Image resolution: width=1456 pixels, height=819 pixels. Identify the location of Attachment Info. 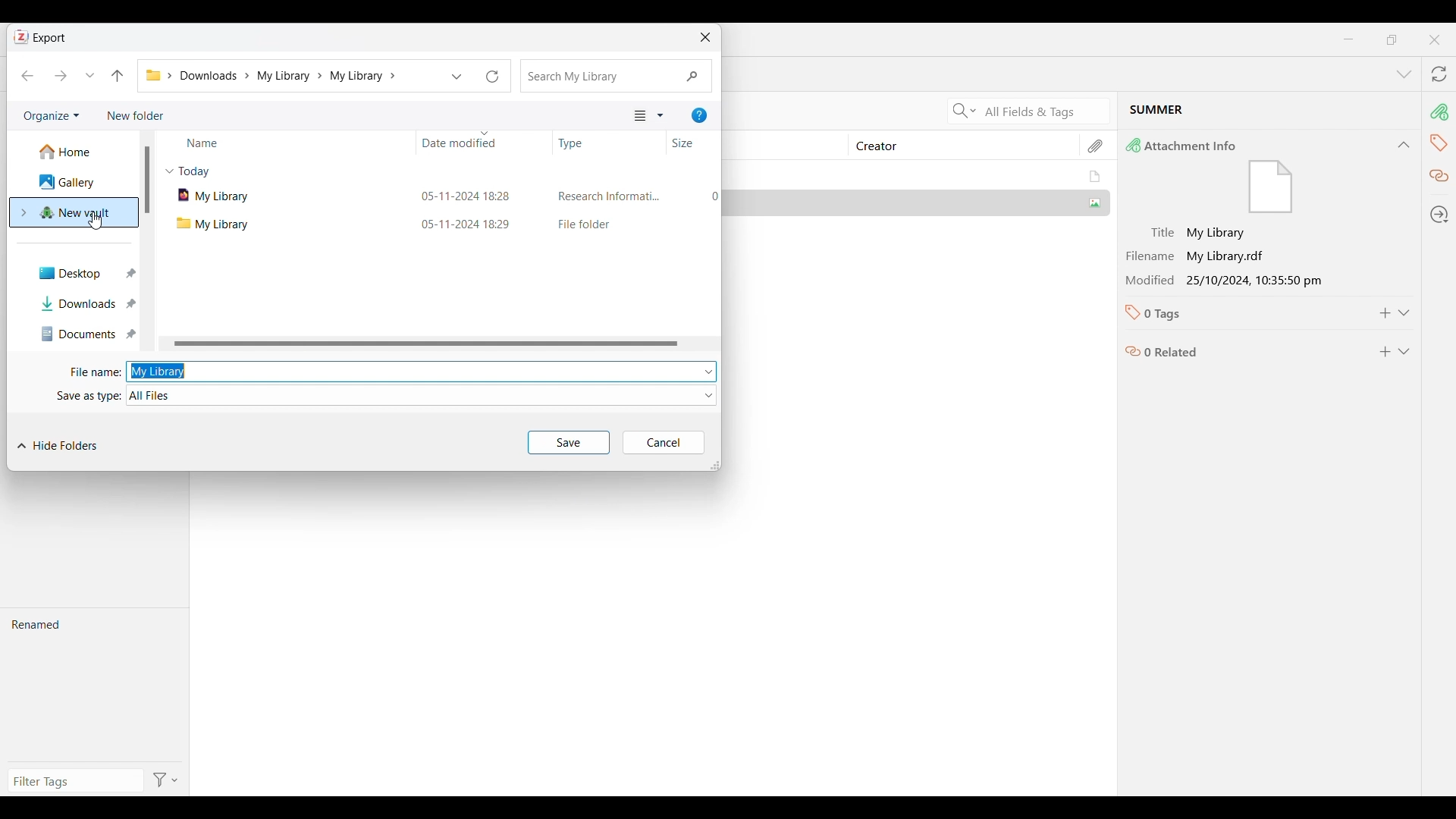
(1250, 176).